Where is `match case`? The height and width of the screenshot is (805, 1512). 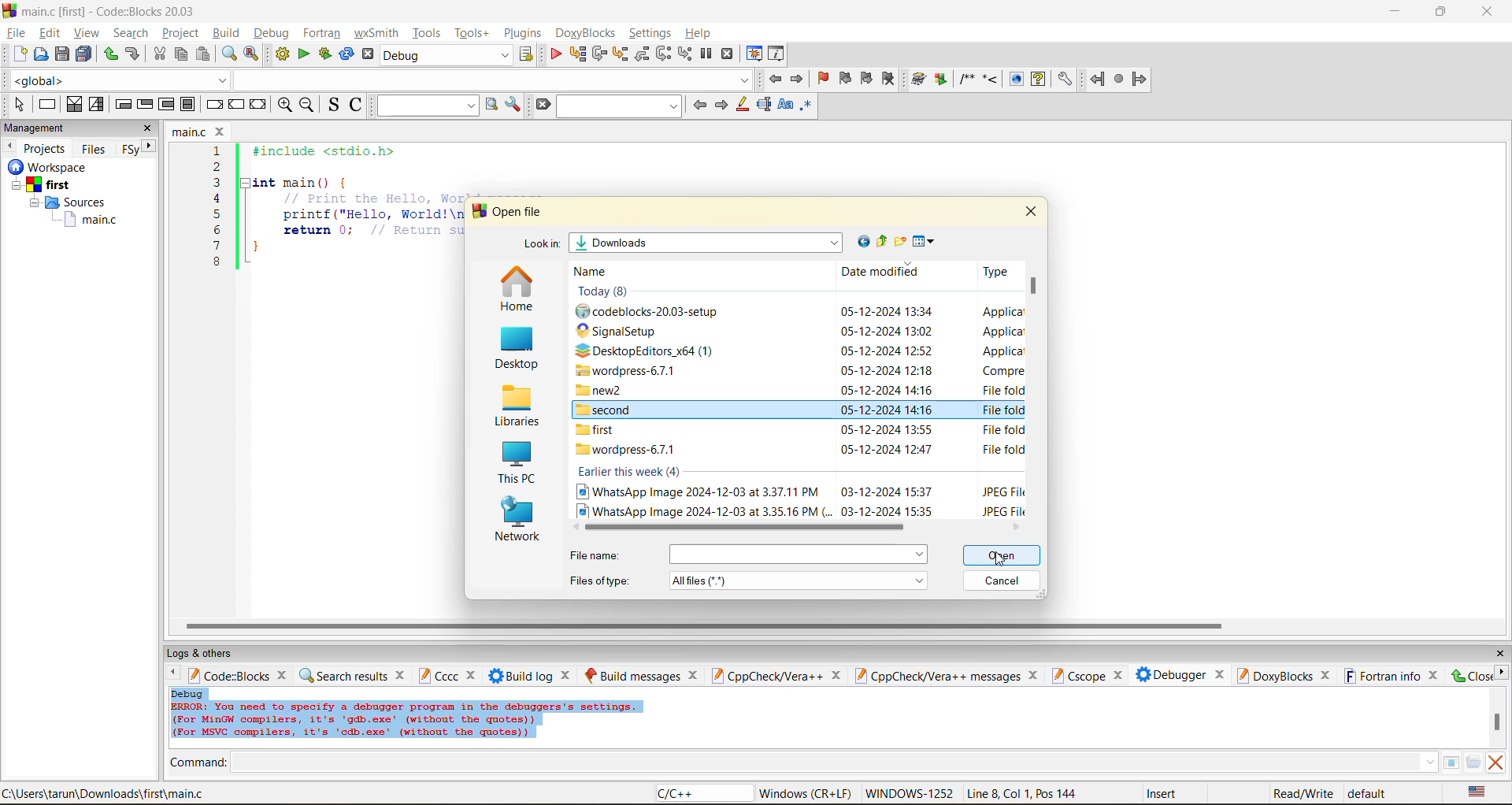 match case is located at coordinates (784, 106).